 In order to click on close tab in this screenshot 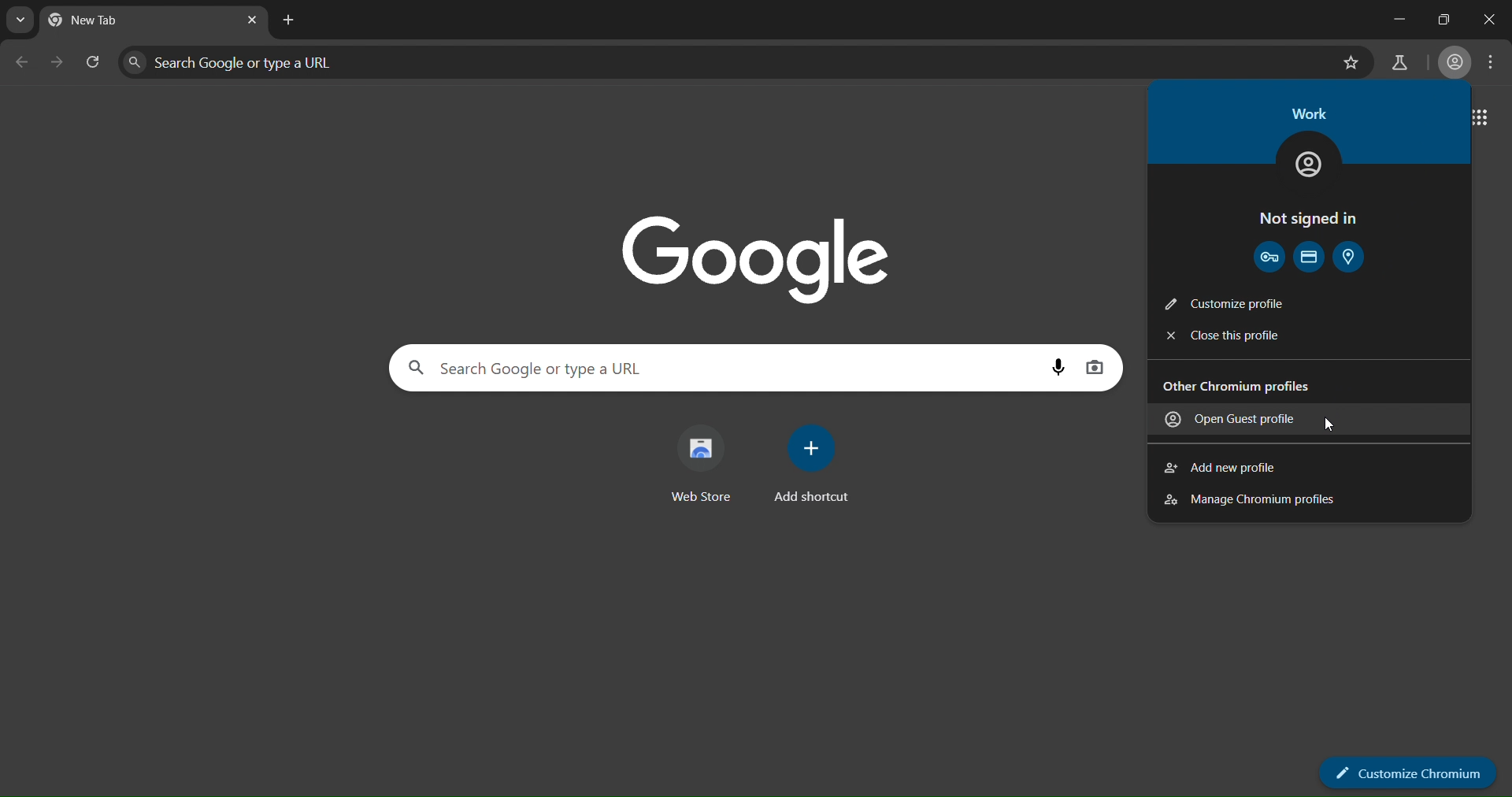, I will do `click(250, 20)`.